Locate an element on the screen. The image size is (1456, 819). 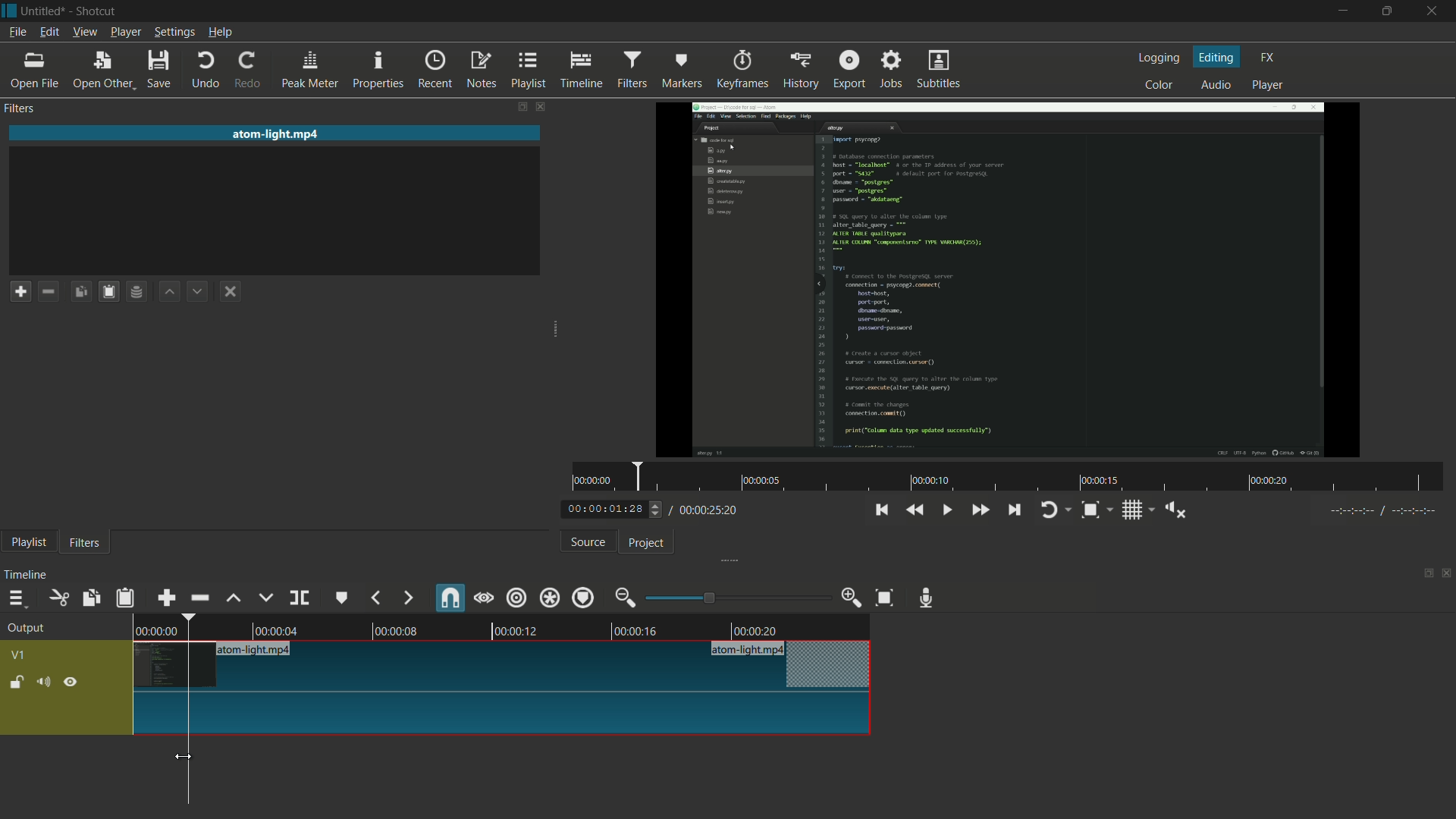
project name is located at coordinates (46, 11).